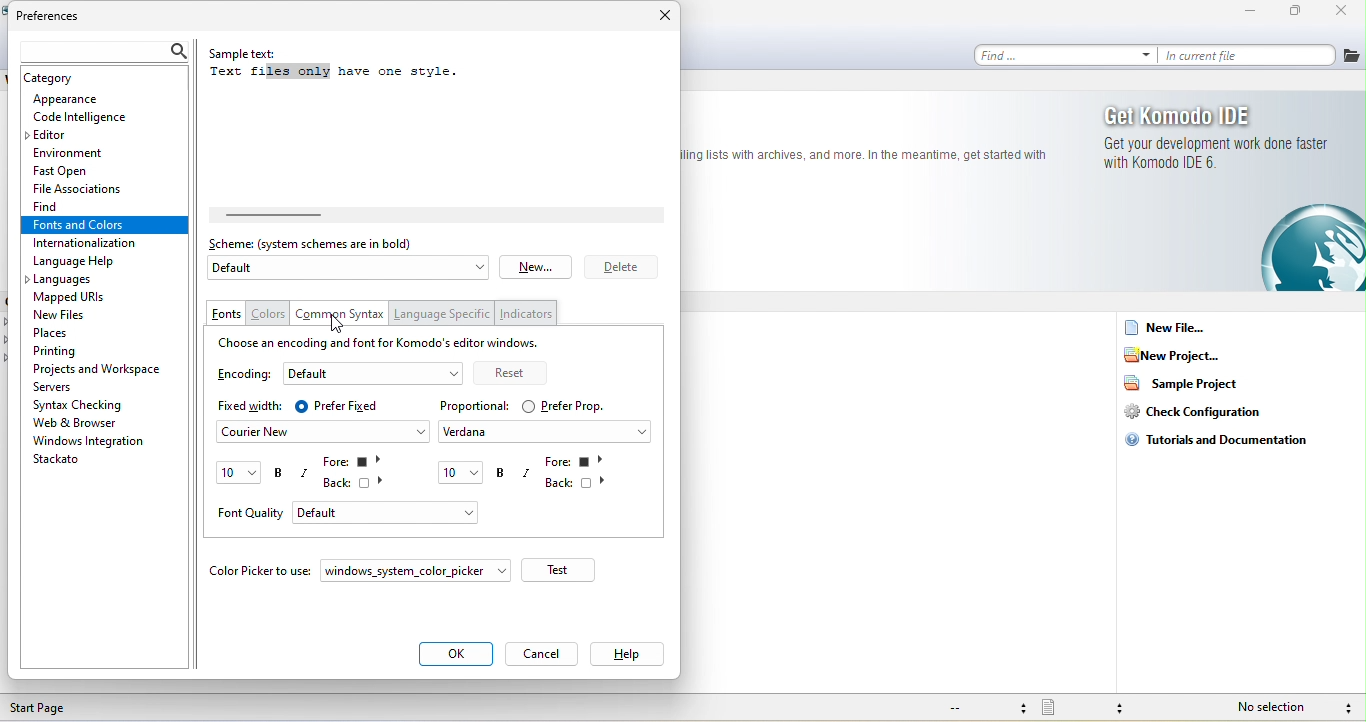  I want to click on new, so click(537, 265).